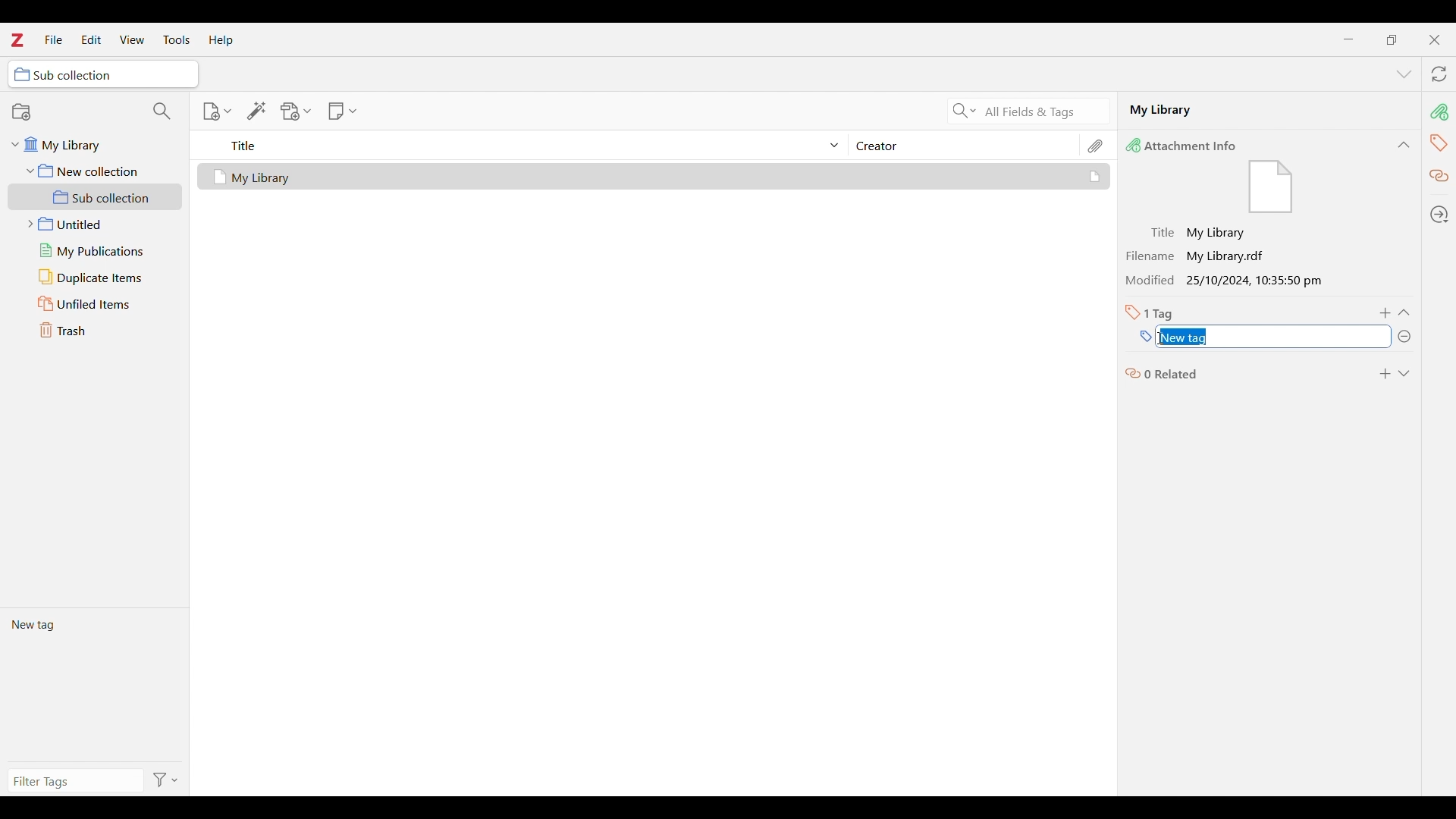 The height and width of the screenshot is (819, 1456). What do you see at coordinates (1150, 312) in the screenshot?
I see `Total number of tags` at bounding box center [1150, 312].